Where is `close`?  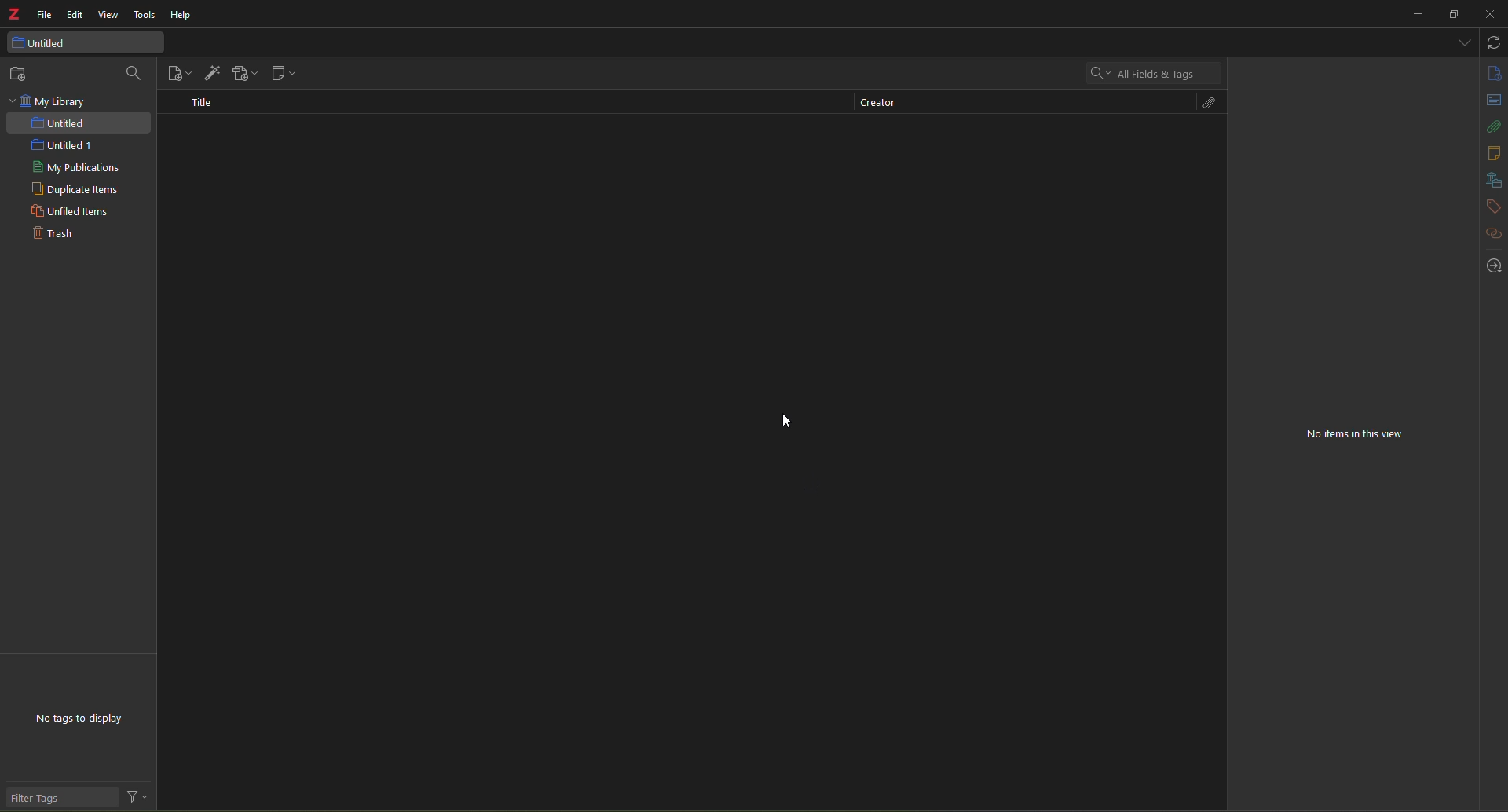 close is located at coordinates (1488, 15).